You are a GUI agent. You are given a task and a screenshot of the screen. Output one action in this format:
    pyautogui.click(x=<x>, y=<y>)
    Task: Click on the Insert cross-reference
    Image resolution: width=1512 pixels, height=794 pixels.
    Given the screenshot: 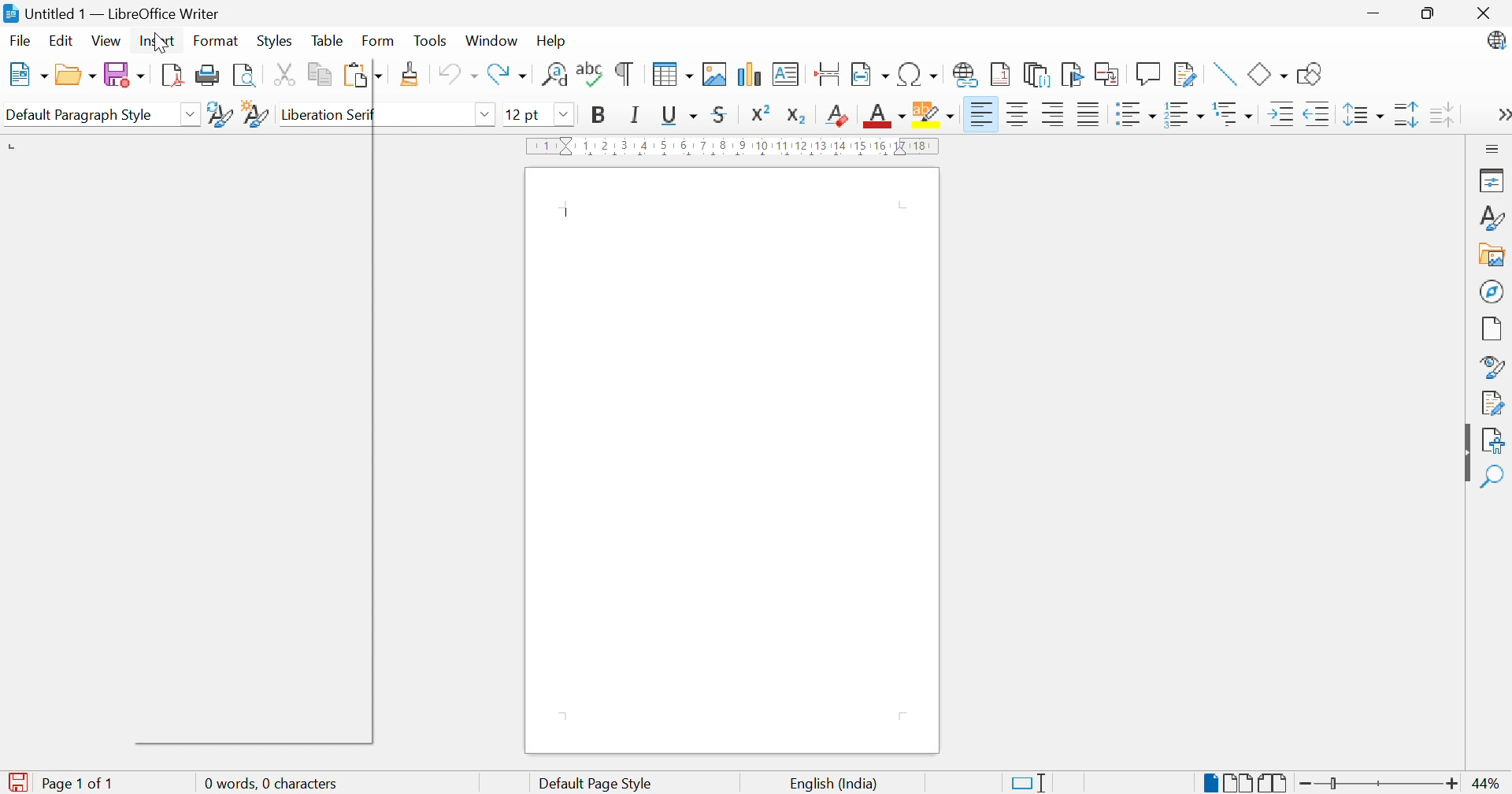 What is the action you would take?
    pyautogui.click(x=1108, y=74)
    